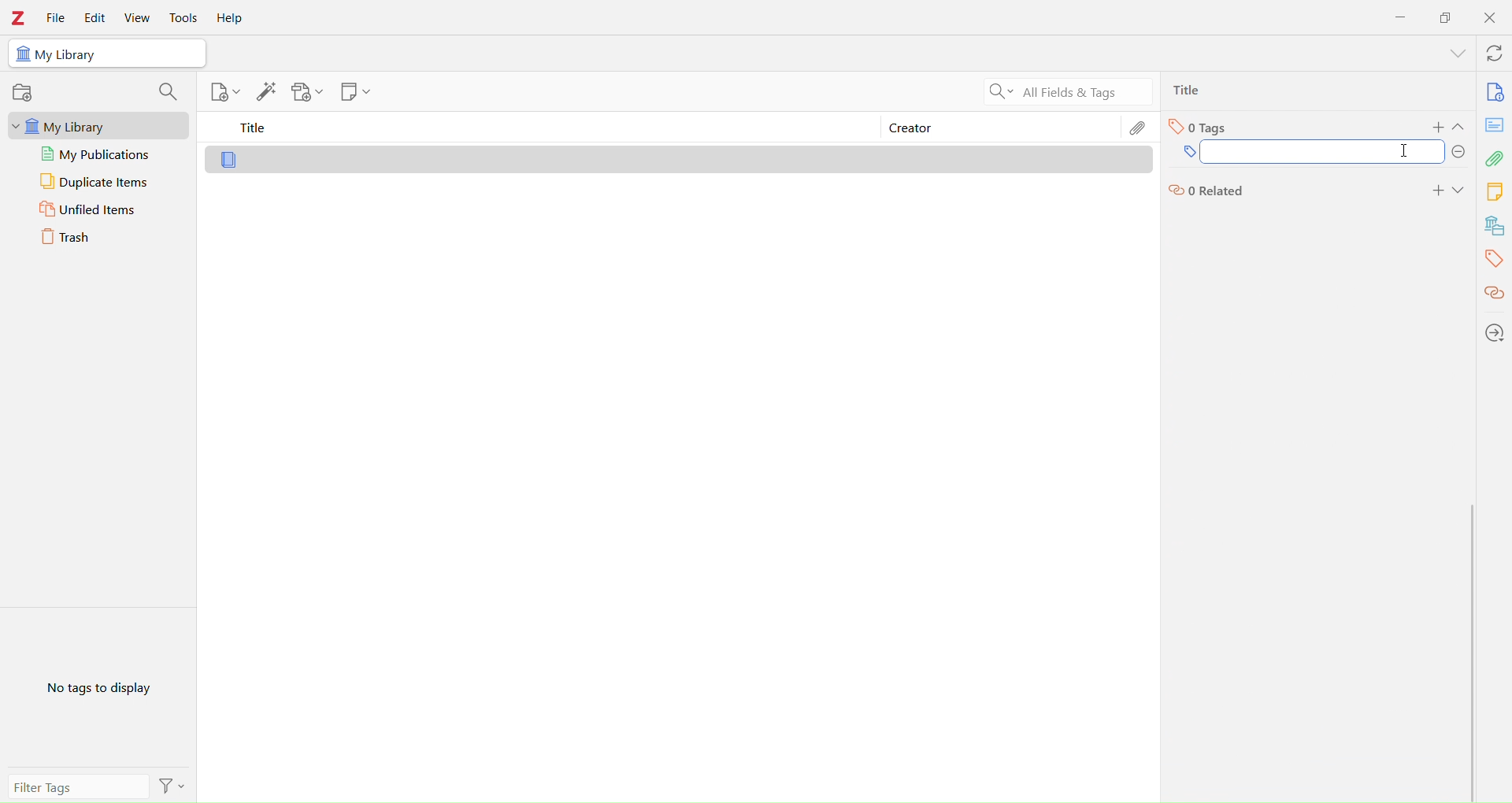  I want to click on All Filters & Tags, so click(1065, 94).